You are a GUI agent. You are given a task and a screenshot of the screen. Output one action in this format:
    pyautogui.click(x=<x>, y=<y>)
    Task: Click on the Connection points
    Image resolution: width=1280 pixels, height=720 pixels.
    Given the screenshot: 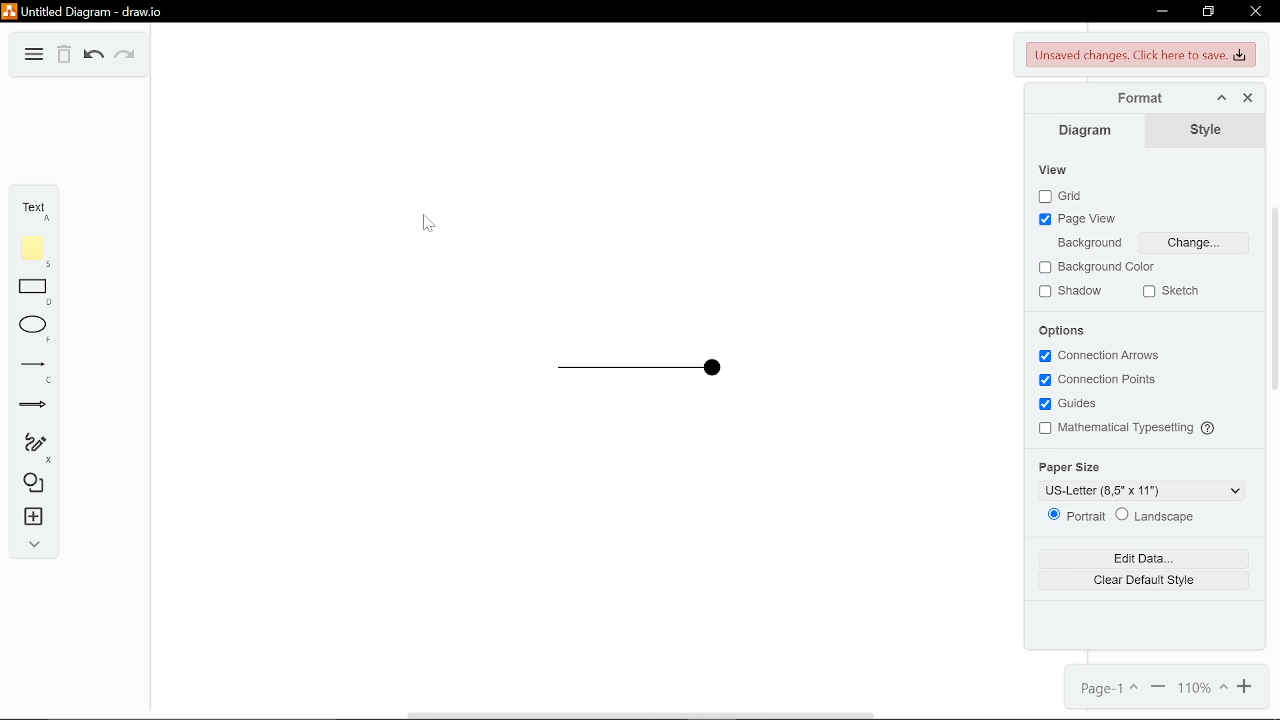 What is the action you would take?
    pyautogui.click(x=1102, y=381)
    